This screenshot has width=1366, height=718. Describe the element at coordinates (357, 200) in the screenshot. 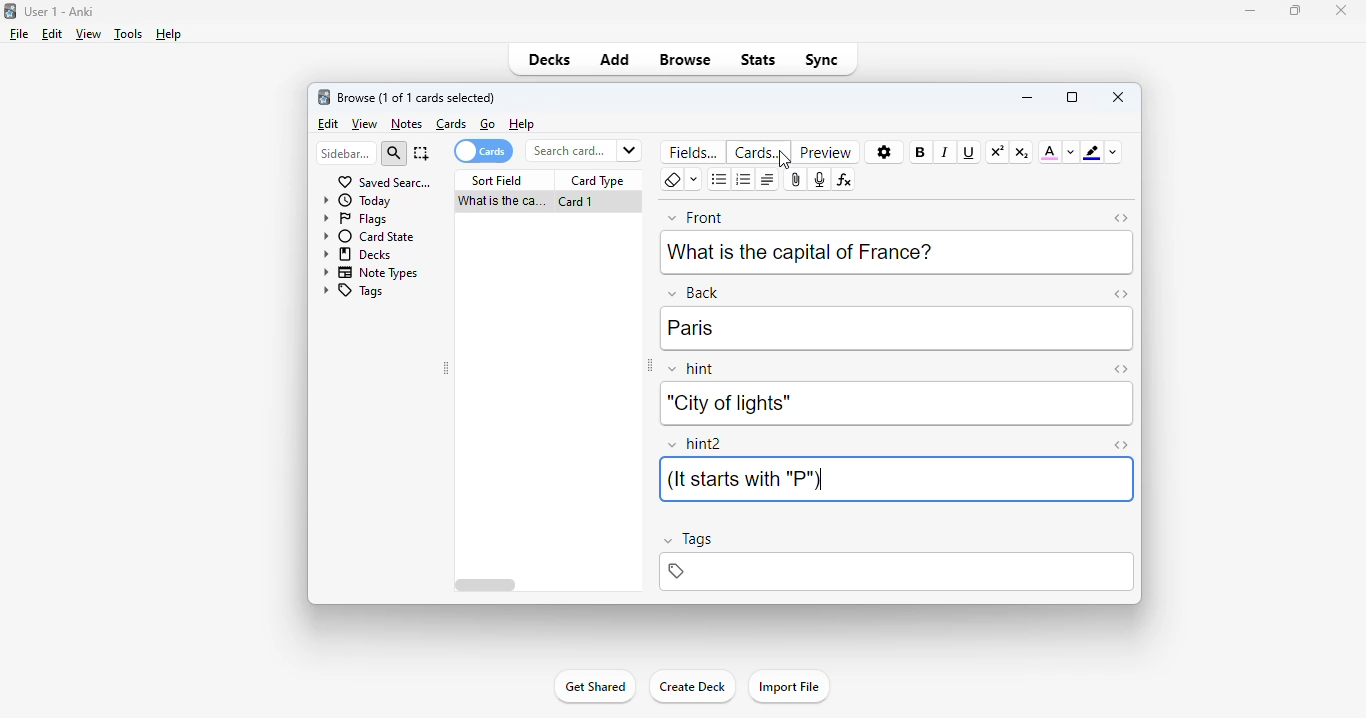

I see `today` at that location.